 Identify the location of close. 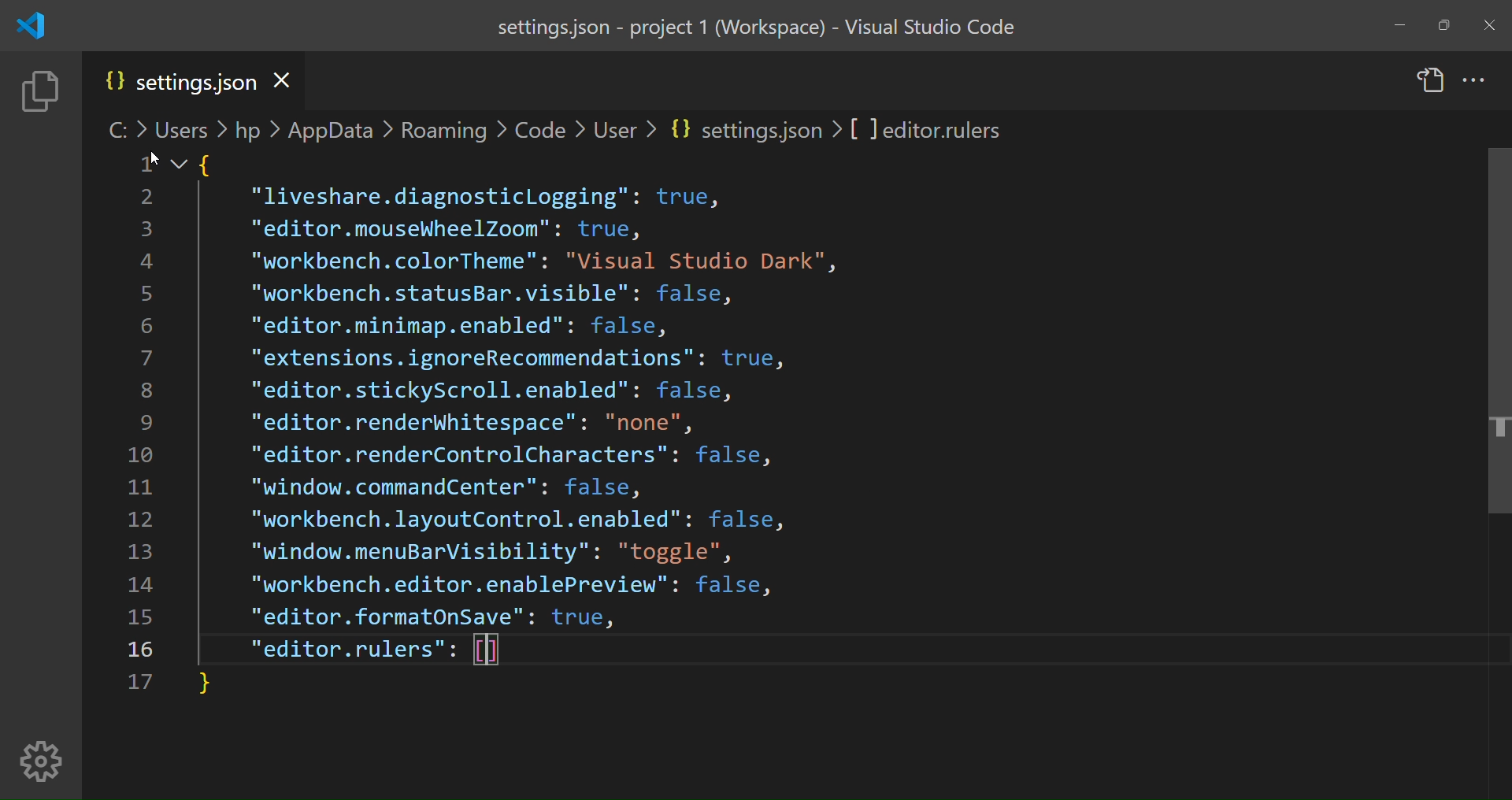
(1492, 27).